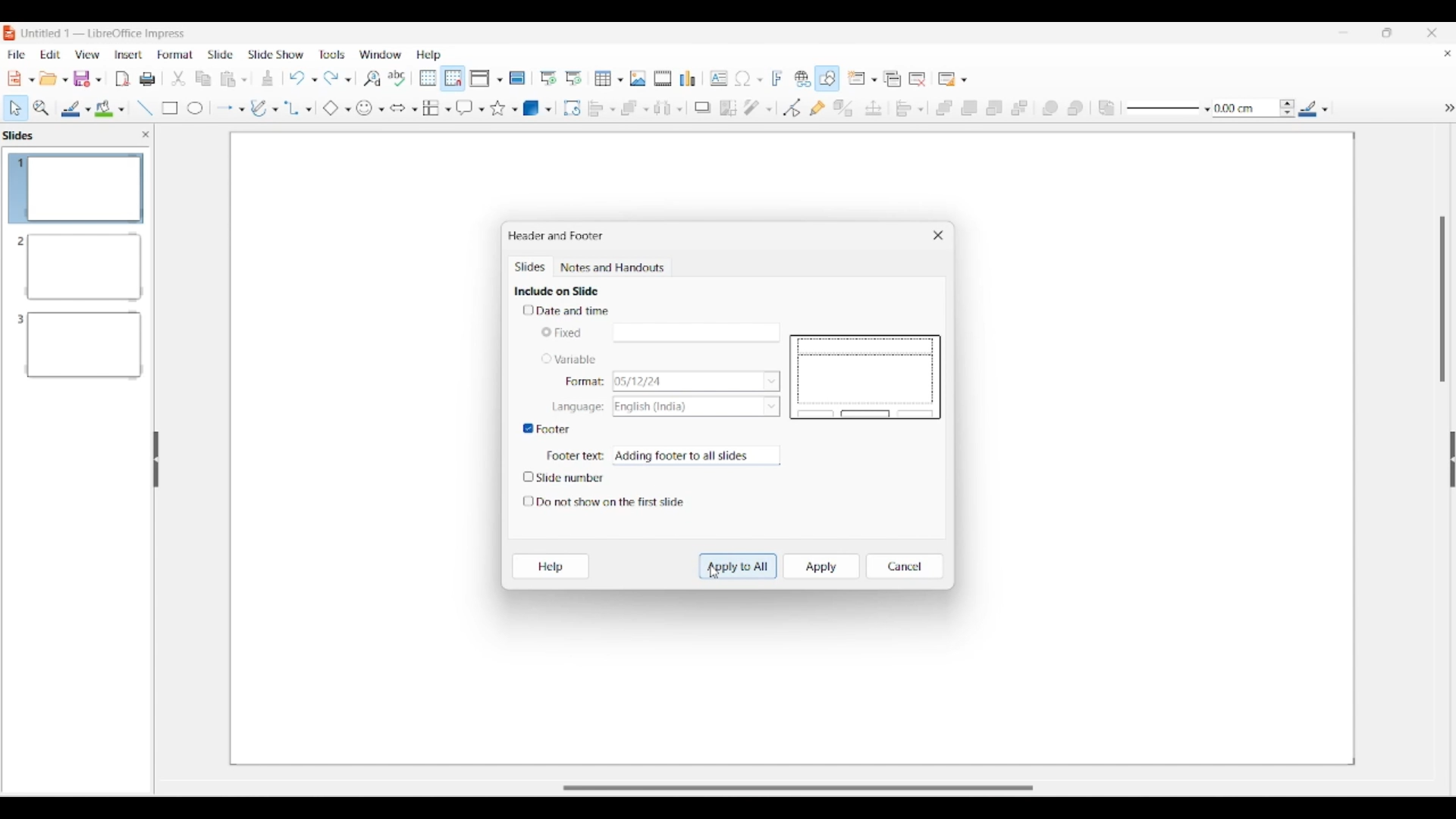  What do you see at coordinates (865, 378) in the screenshot?
I see `Slide preview` at bounding box center [865, 378].